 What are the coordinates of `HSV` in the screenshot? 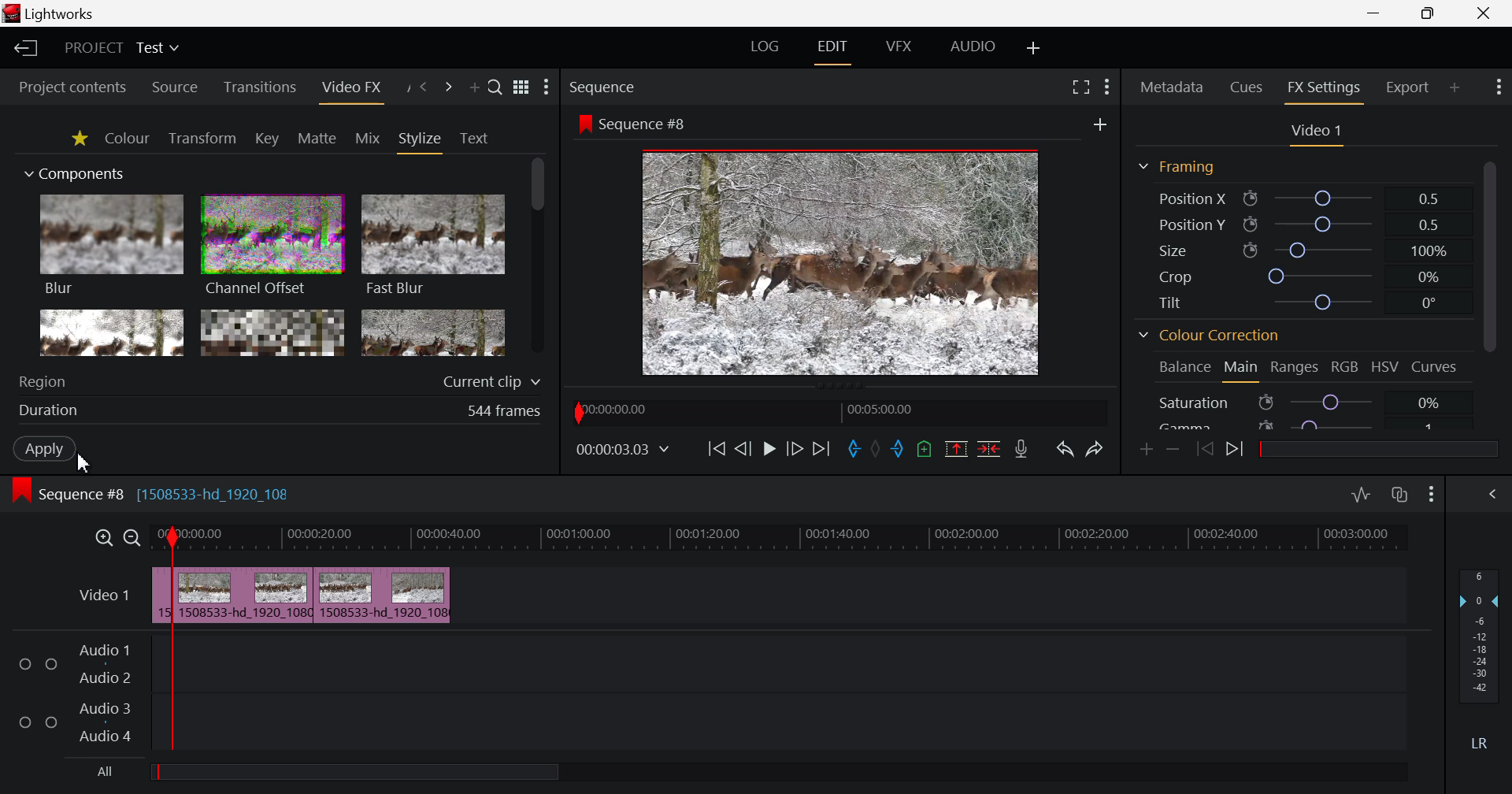 It's located at (1388, 368).